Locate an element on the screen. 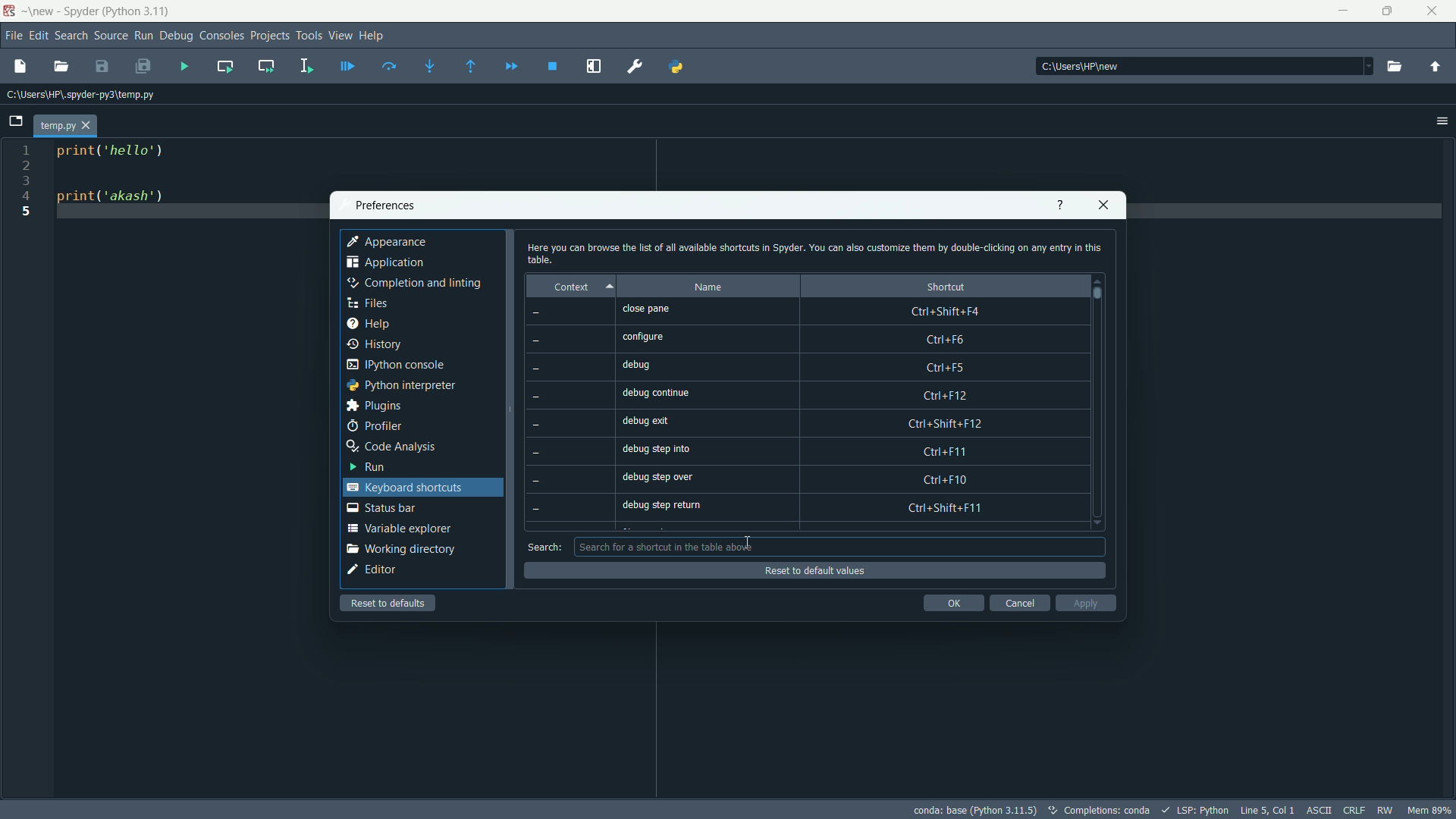  -, debug, ctrl+f5 is located at coordinates (797, 367).